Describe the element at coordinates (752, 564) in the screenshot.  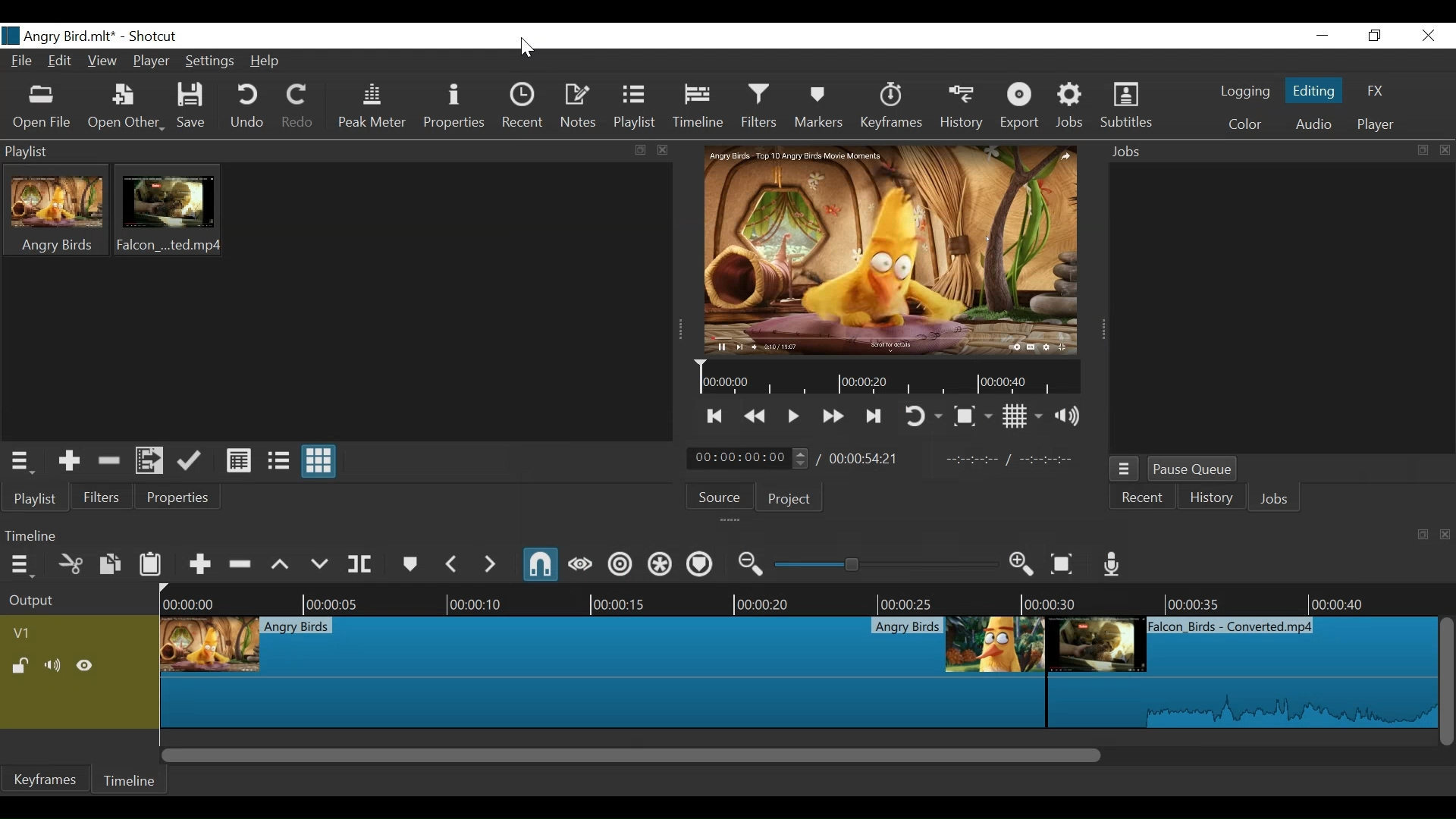
I see `Zoom timeline out` at that location.